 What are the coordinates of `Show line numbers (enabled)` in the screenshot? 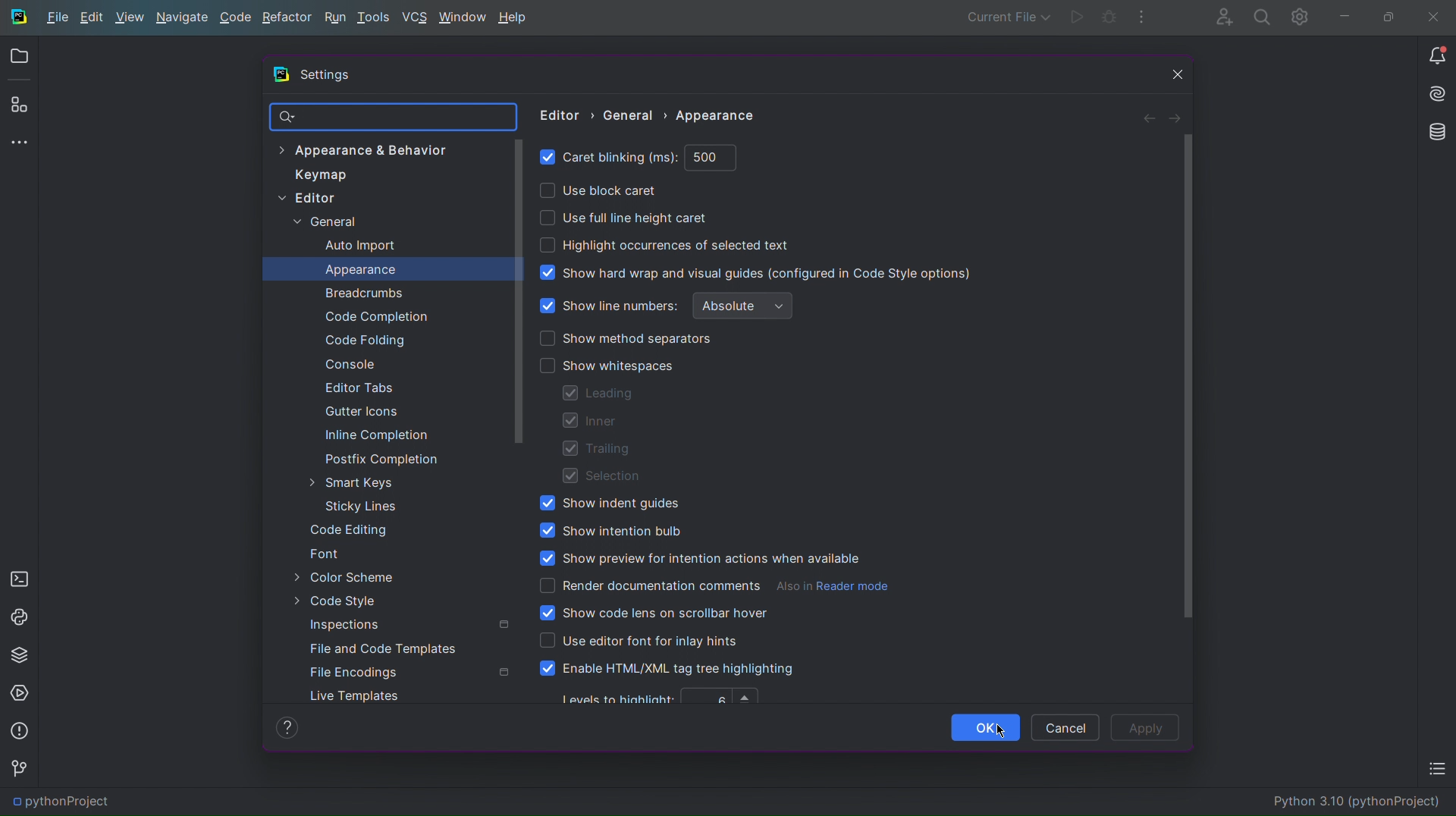 It's located at (608, 306).